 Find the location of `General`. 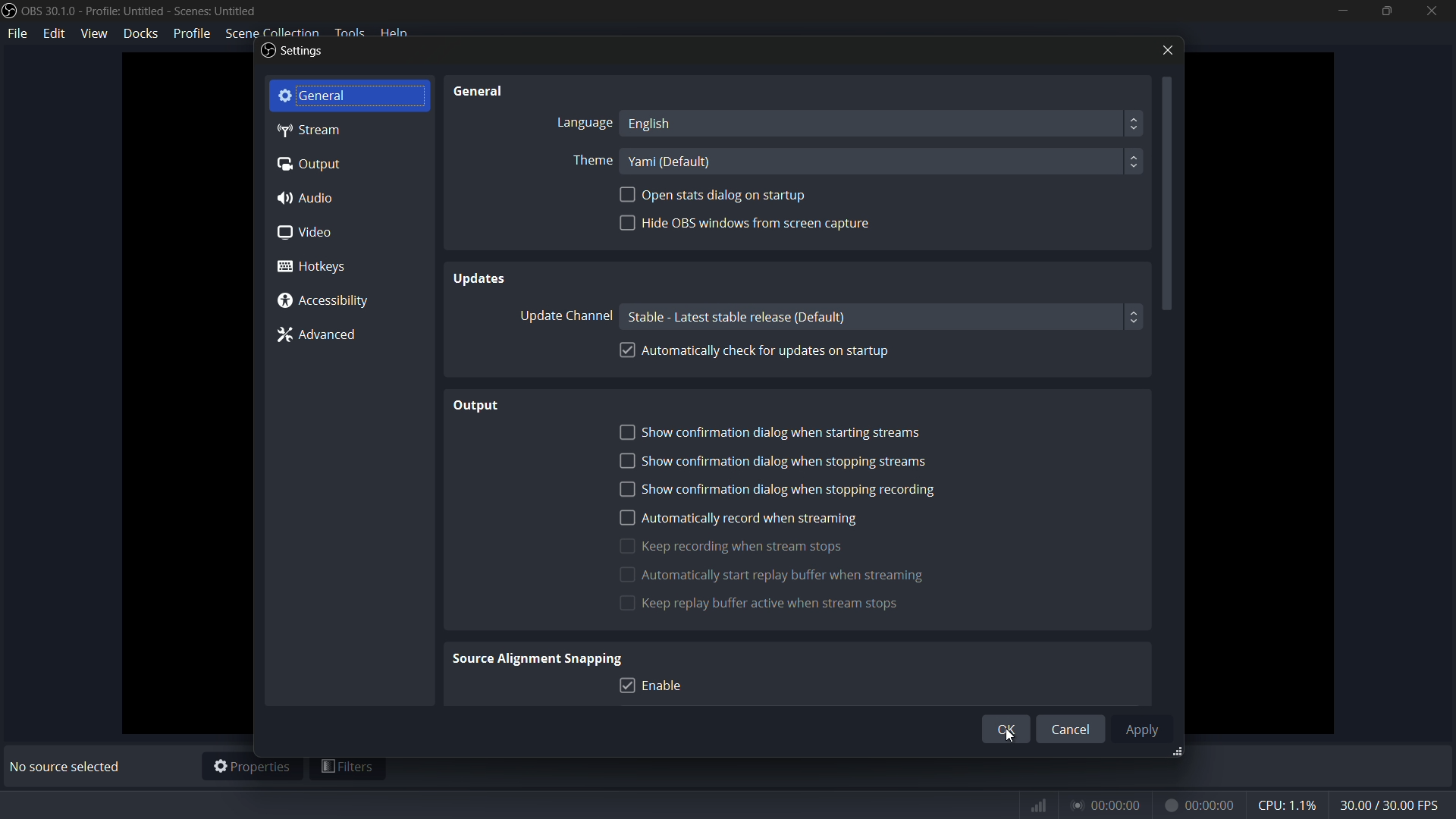

General is located at coordinates (493, 92).